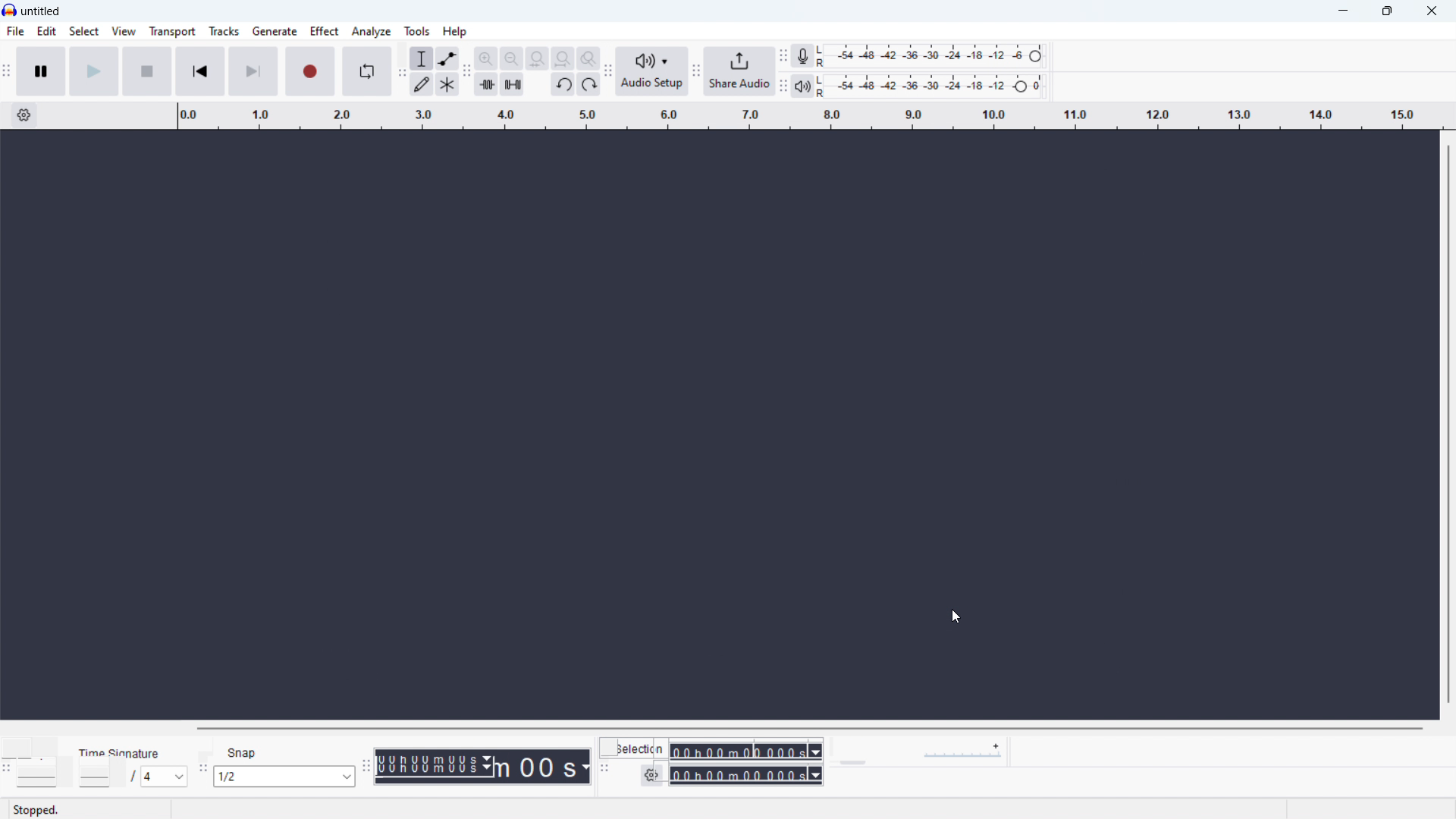 This screenshot has height=819, width=1456. I want to click on tools toolbar, so click(400, 73).